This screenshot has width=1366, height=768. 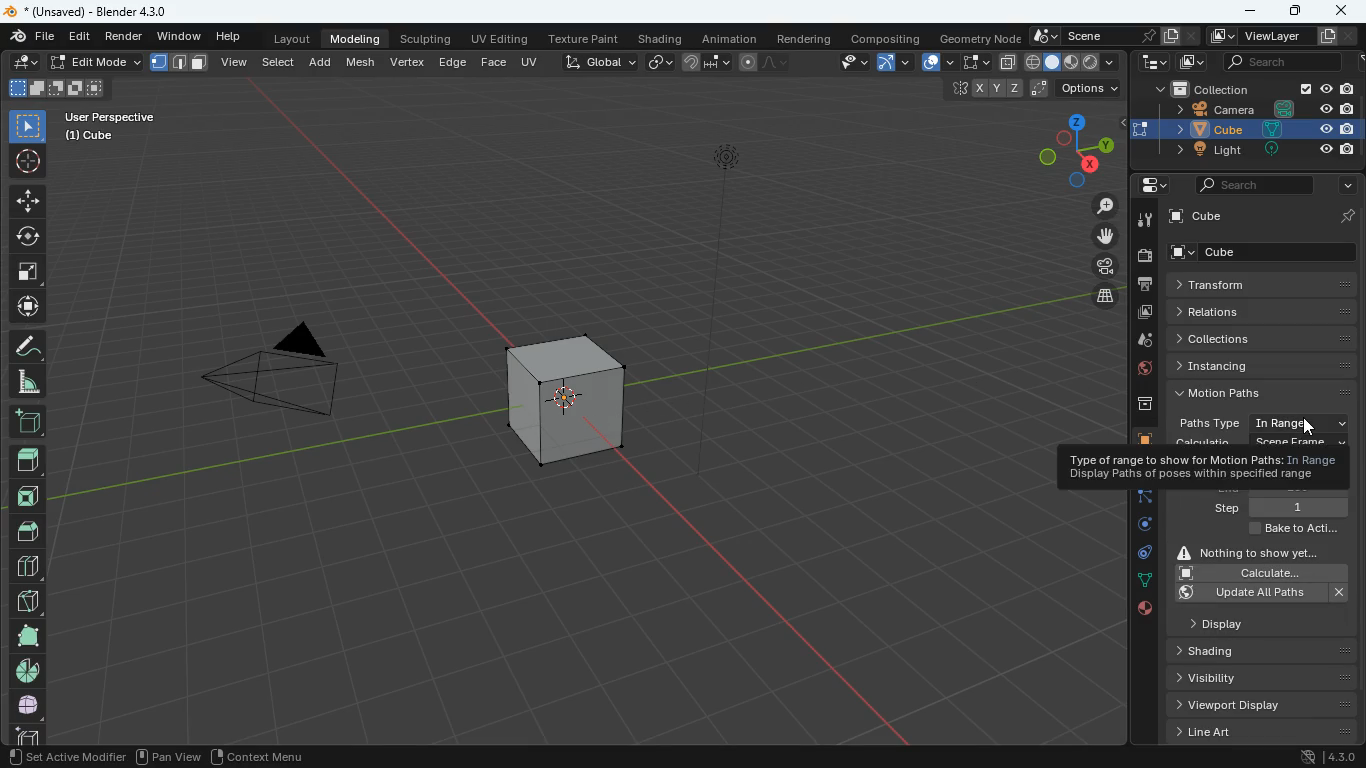 What do you see at coordinates (1099, 296) in the screenshot?
I see `layer` at bounding box center [1099, 296].